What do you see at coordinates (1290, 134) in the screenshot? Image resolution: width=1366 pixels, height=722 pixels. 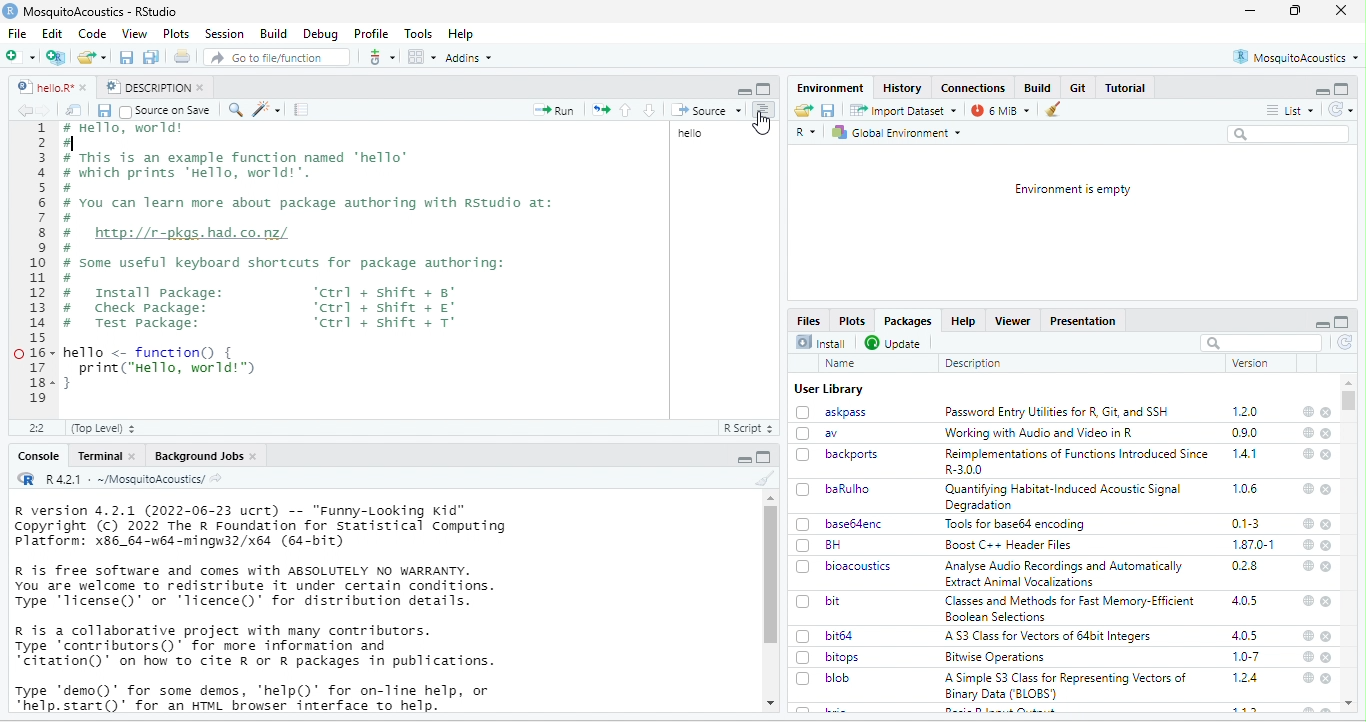 I see `Search bar` at bounding box center [1290, 134].